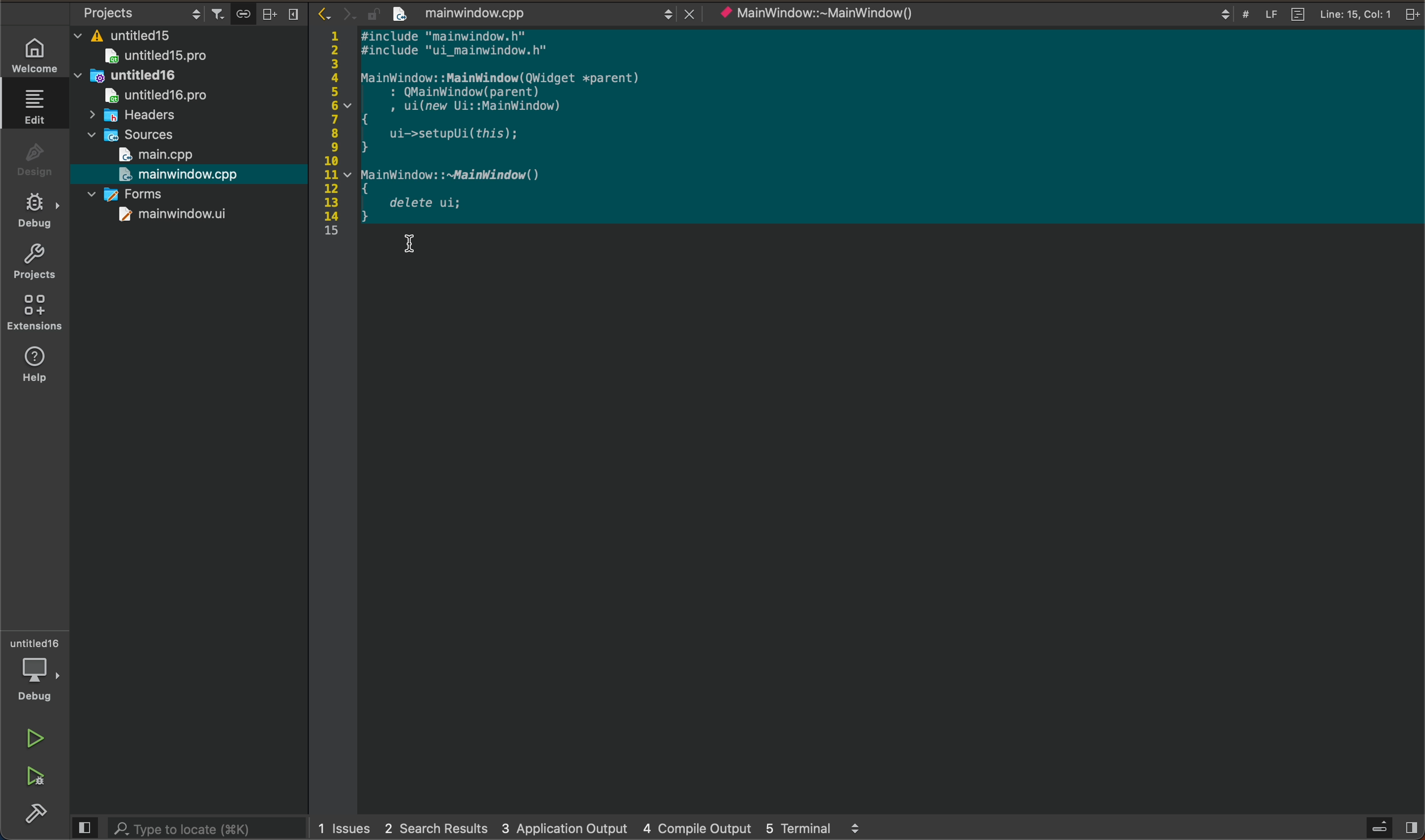  Describe the element at coordinates (691, 13) in the screenshot. I see `close` at that location.